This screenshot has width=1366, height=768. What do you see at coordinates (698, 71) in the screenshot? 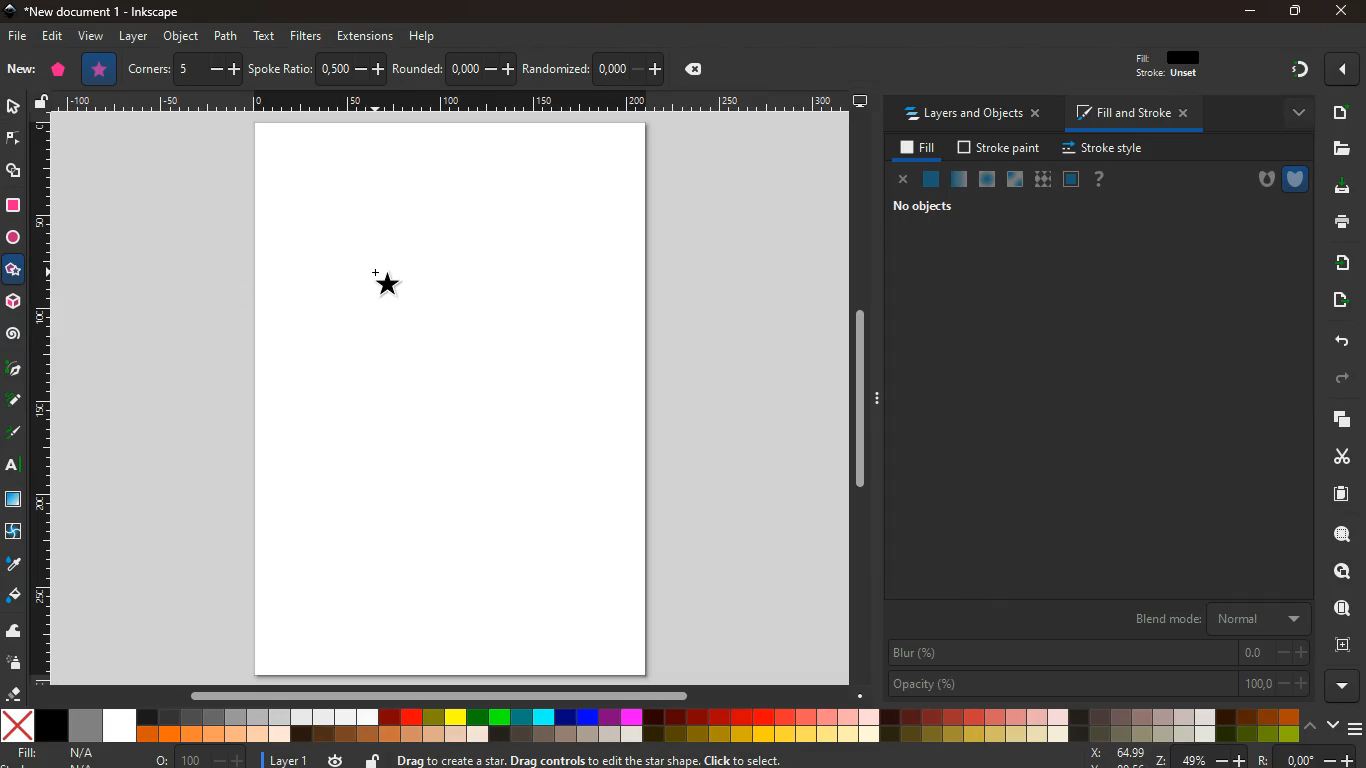
I see `delete` at bounding box center [698, 71].